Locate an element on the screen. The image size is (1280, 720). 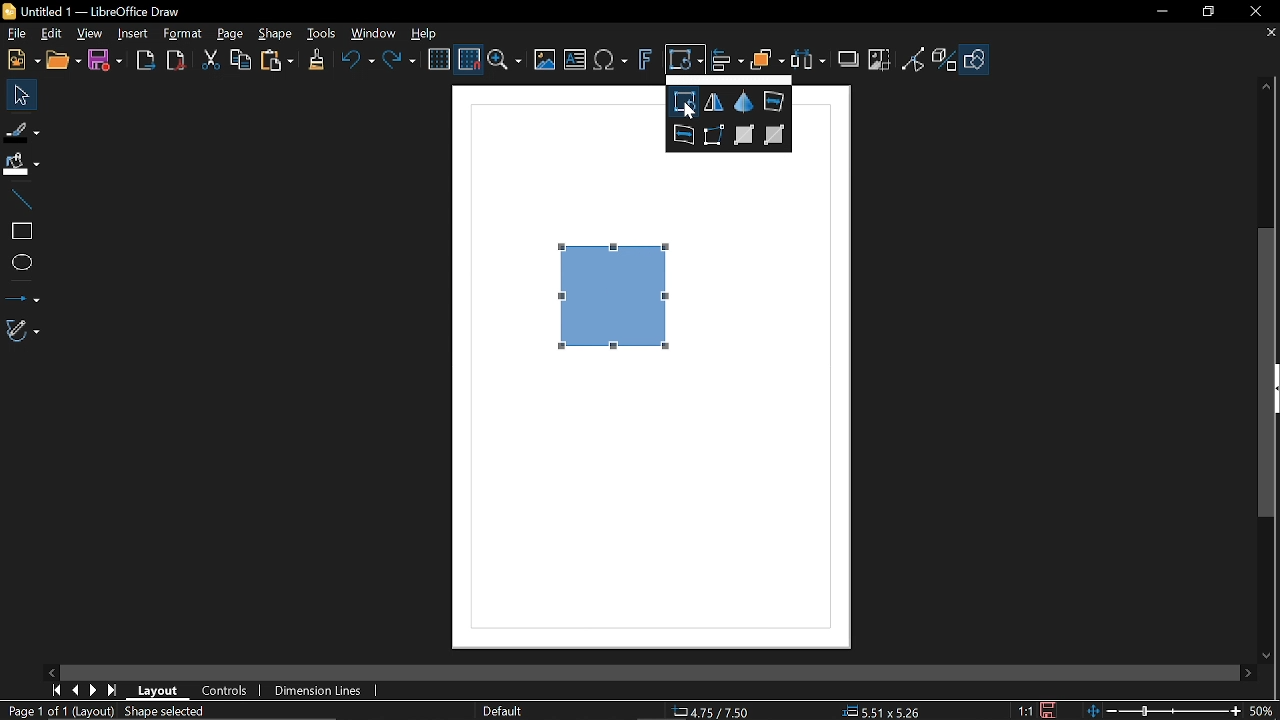
Move up is located at coordinates (1267, 87).